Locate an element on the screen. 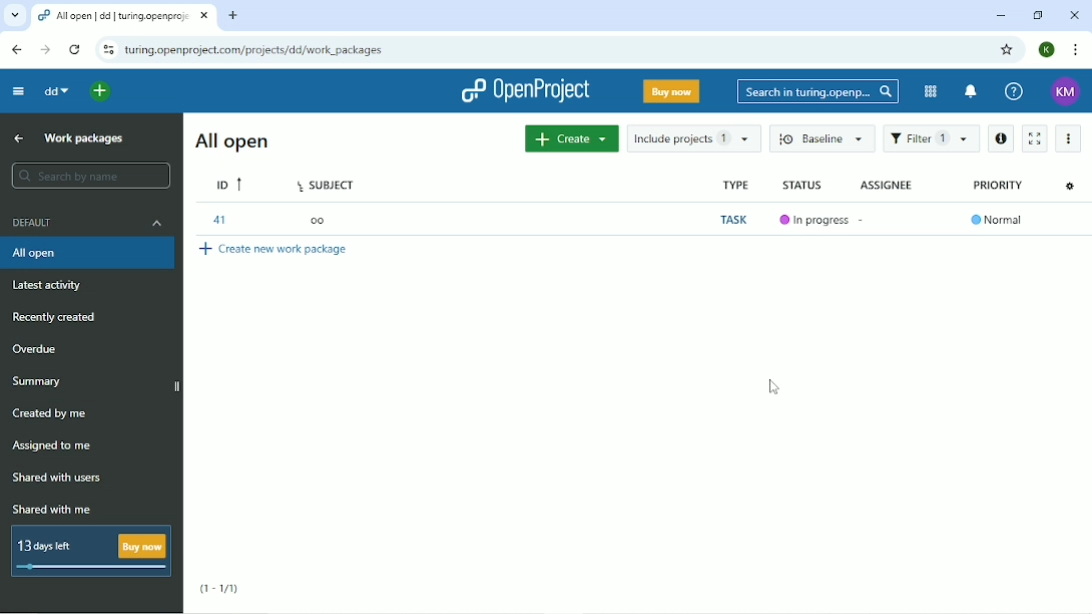 This screenshot has height=614, width=1092. Minimize is located at coordinates (1000, 15).